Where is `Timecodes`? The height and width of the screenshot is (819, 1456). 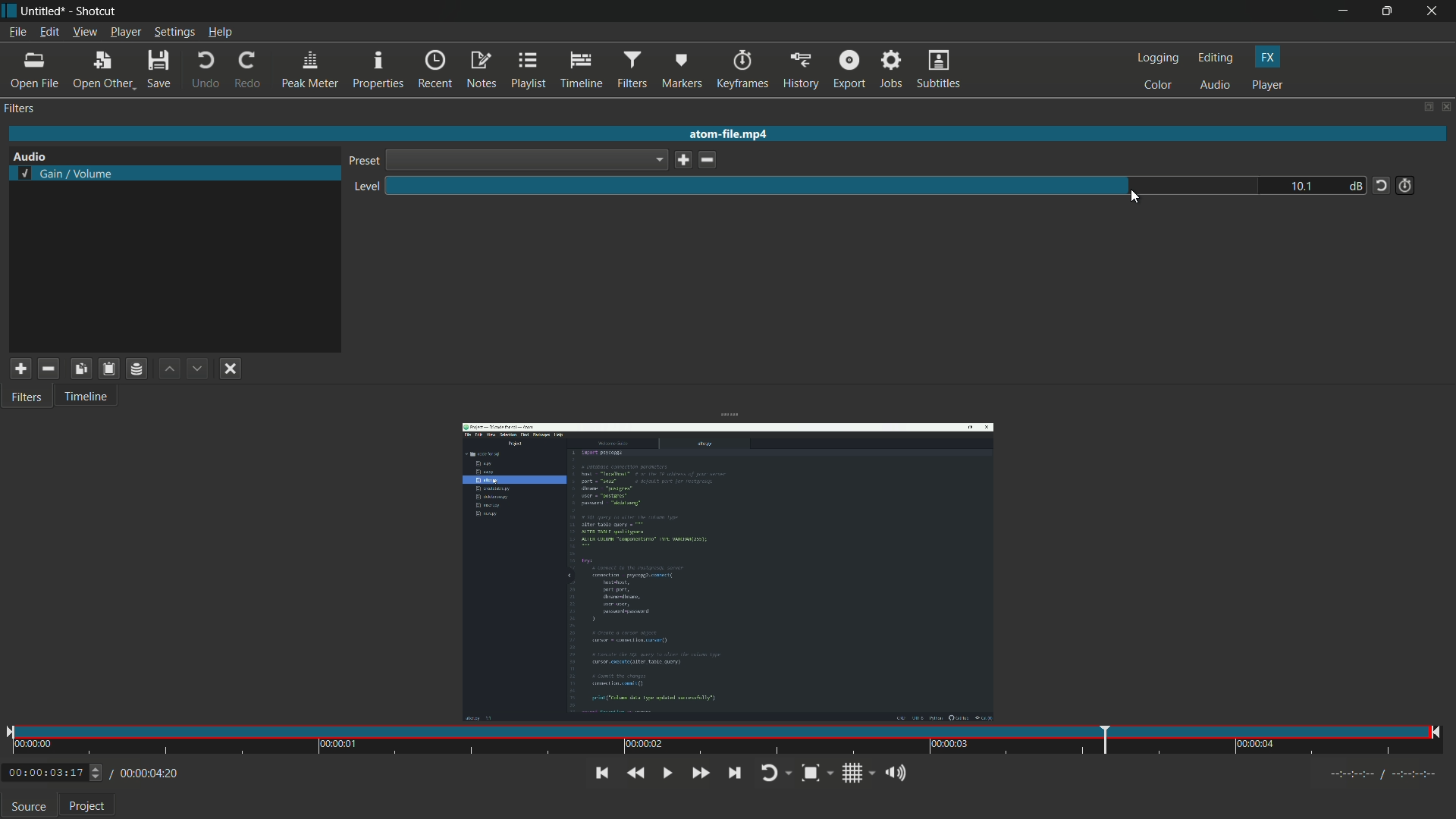
Timecodes is located at coordinates (1385, 777).